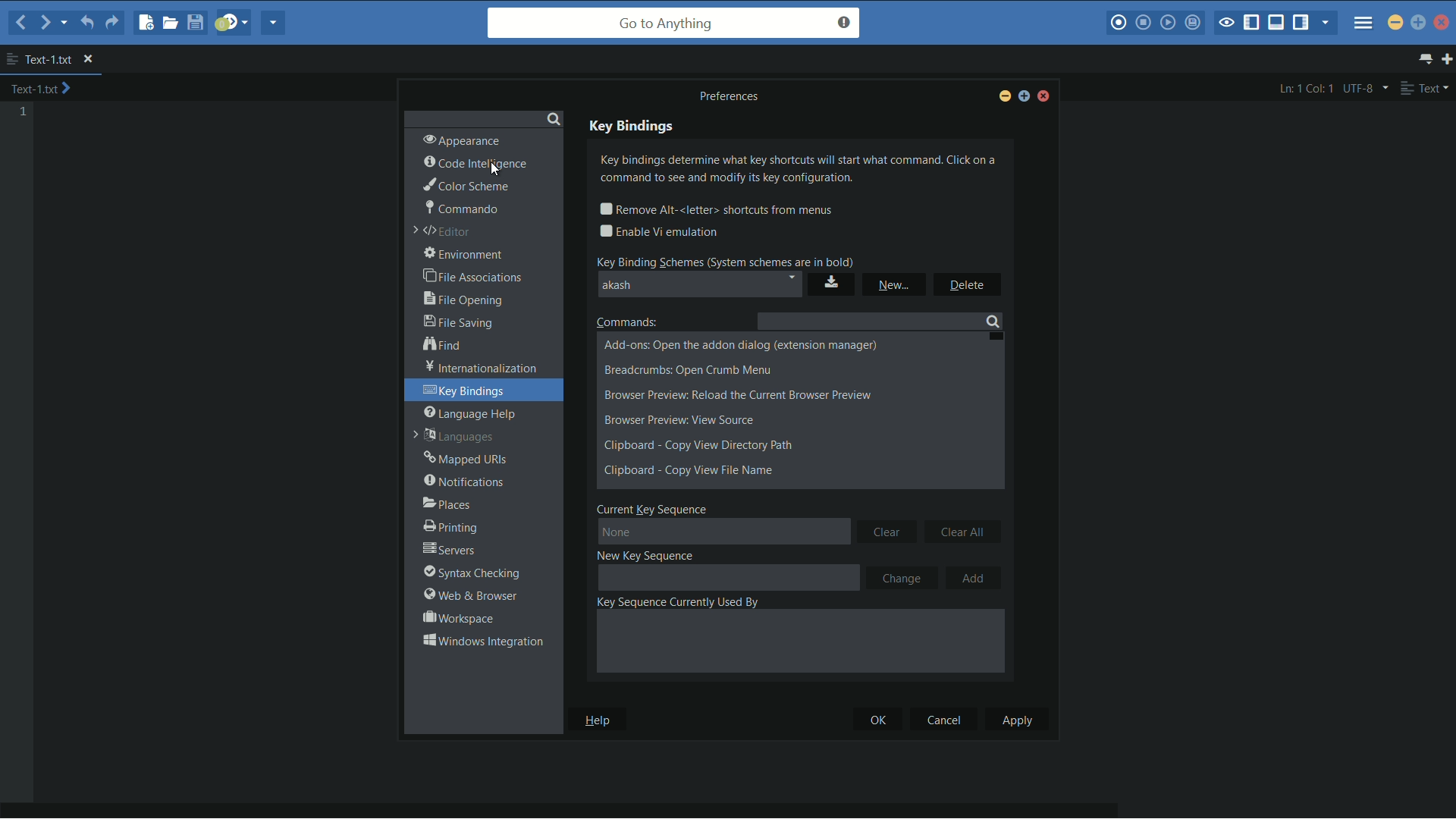 This screenshot has height=819, width=1456. I want to click on none, so click(724, 533).